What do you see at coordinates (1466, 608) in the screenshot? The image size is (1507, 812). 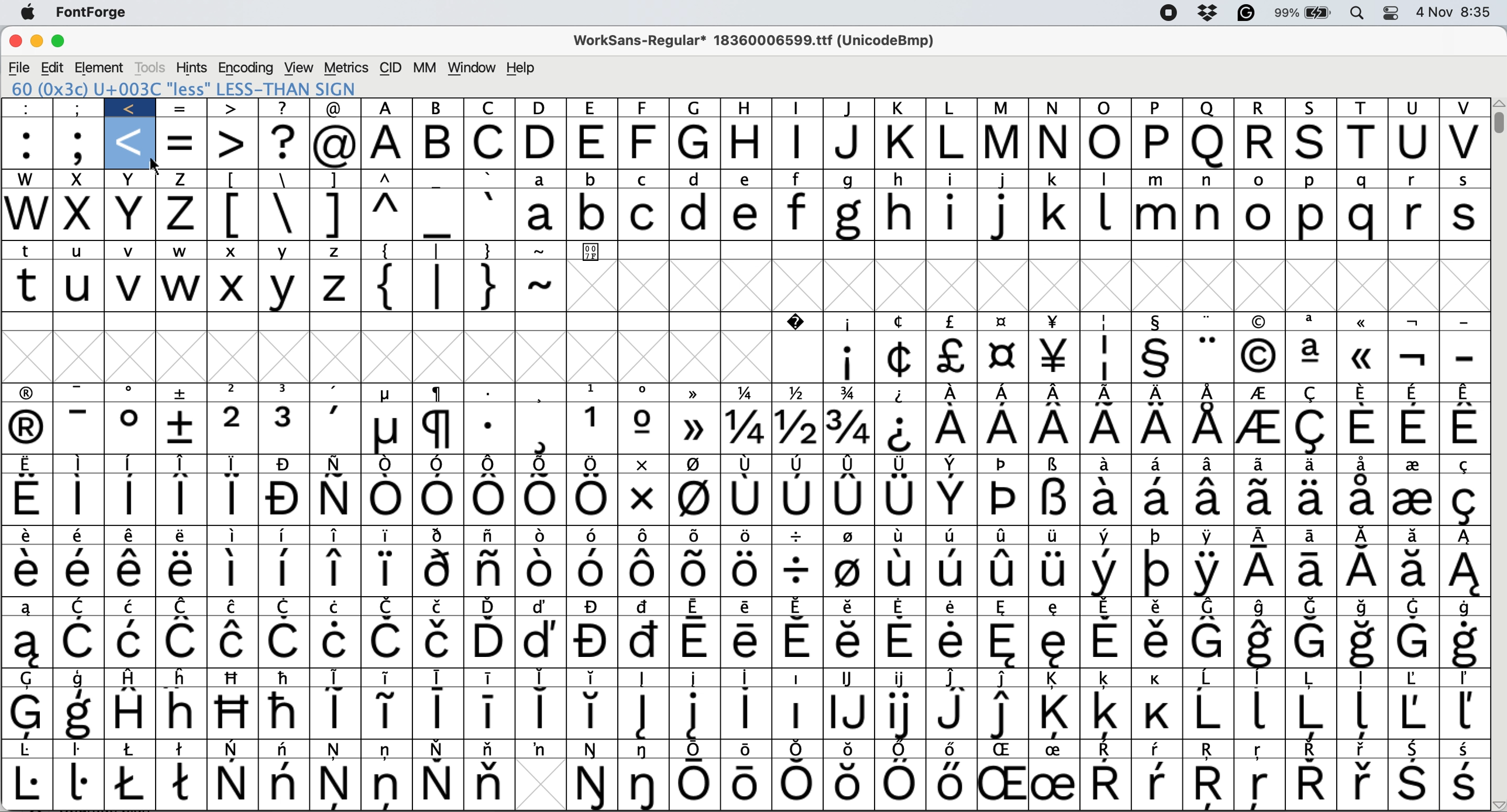 I see `Symbol` at bounding box center [1466, 608].